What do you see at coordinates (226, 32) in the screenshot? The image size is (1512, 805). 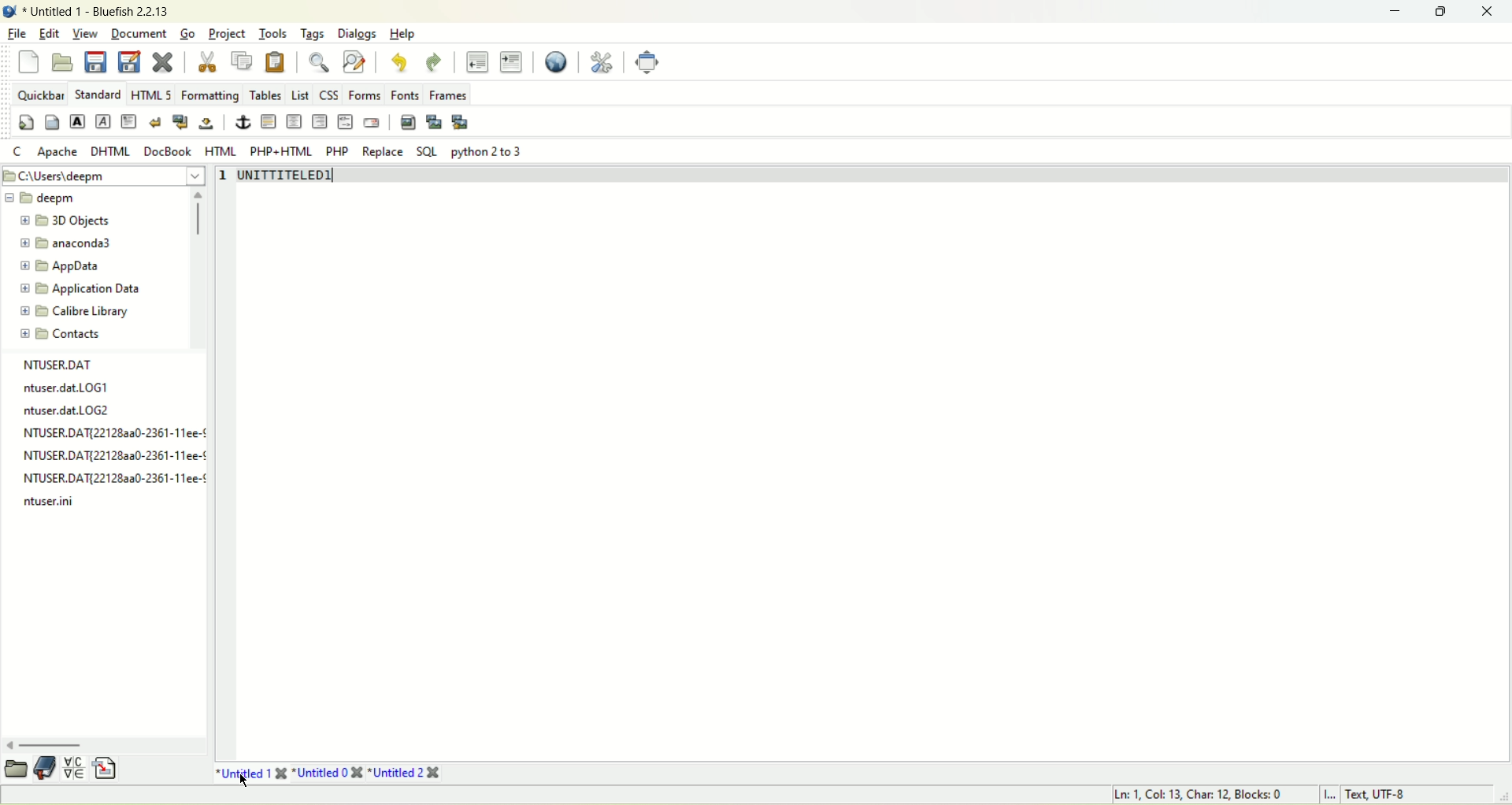 I see `Project` at bounding box center [226, 32].